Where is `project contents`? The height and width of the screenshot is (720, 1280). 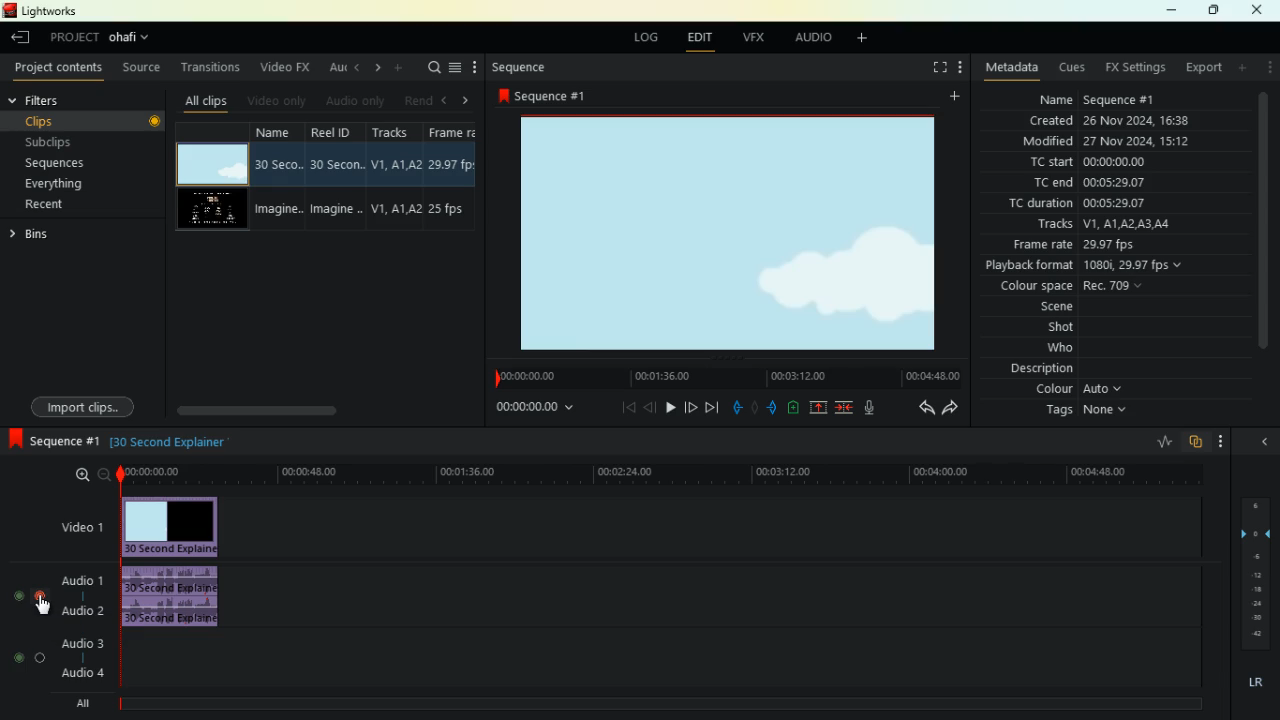 project contents is located at coordinates (59, 67).